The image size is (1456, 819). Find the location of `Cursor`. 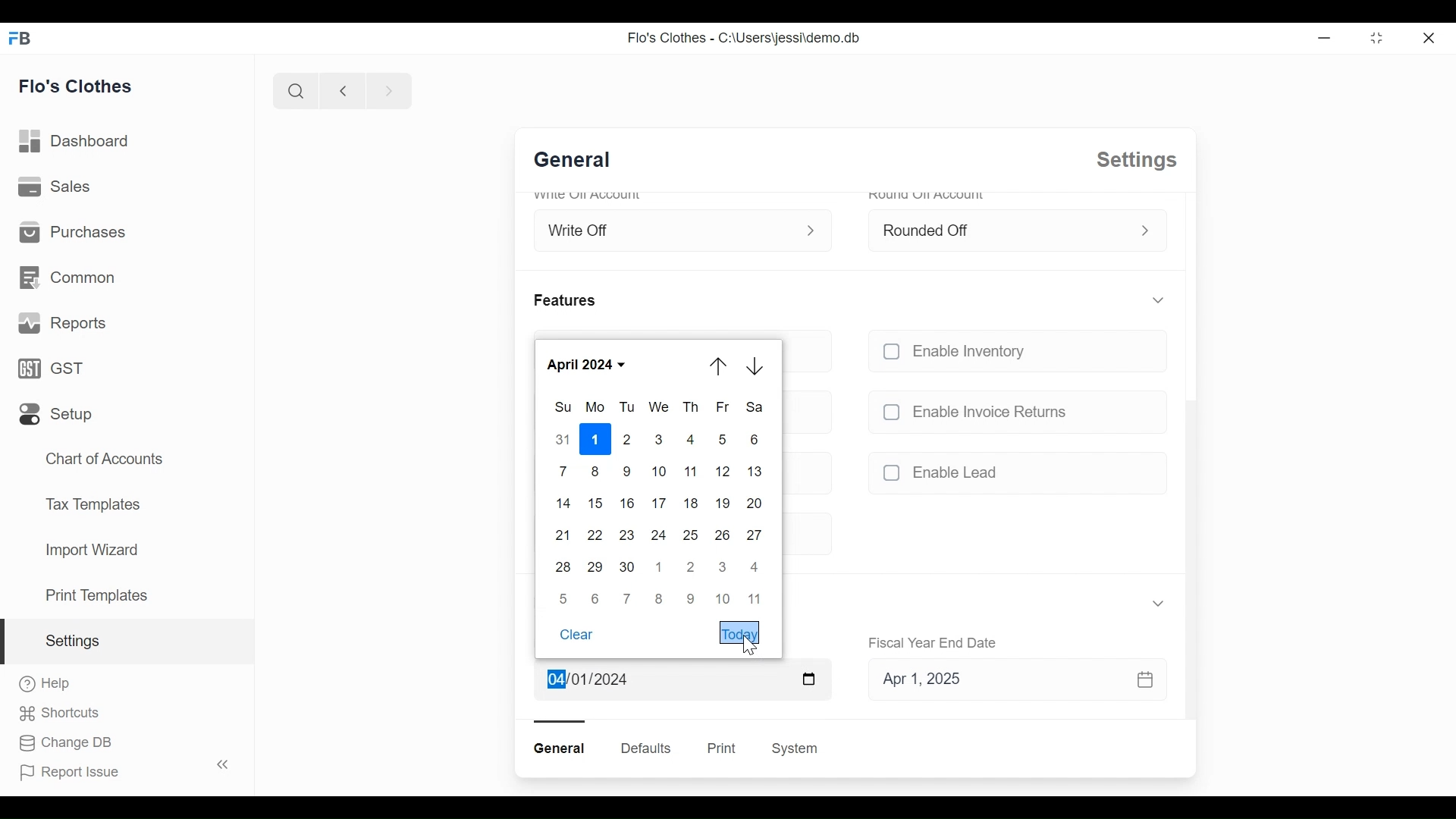

Cursor is located at coordinates (751, 644).